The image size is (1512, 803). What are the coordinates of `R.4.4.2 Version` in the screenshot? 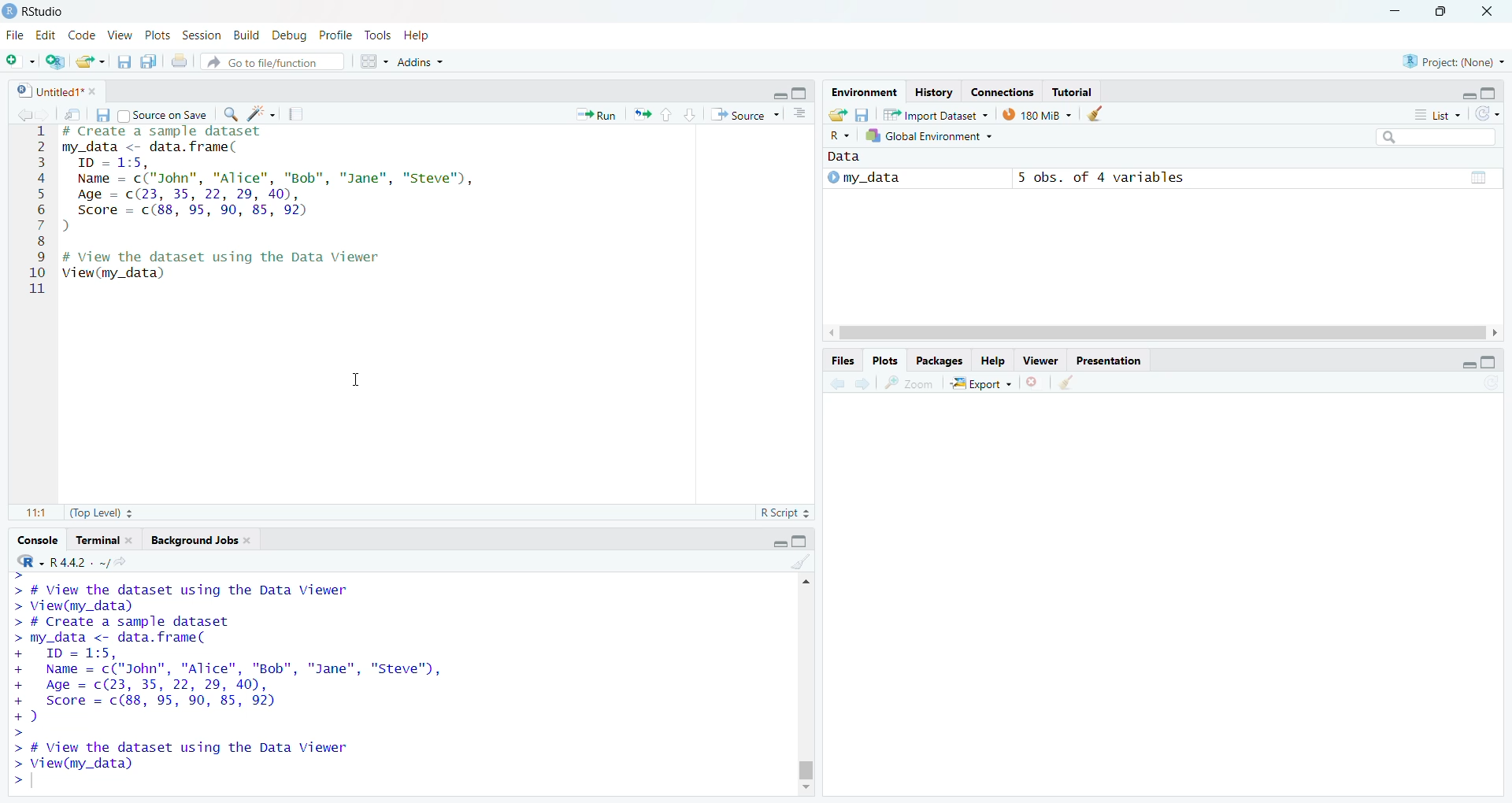 It's located at (75, 561).